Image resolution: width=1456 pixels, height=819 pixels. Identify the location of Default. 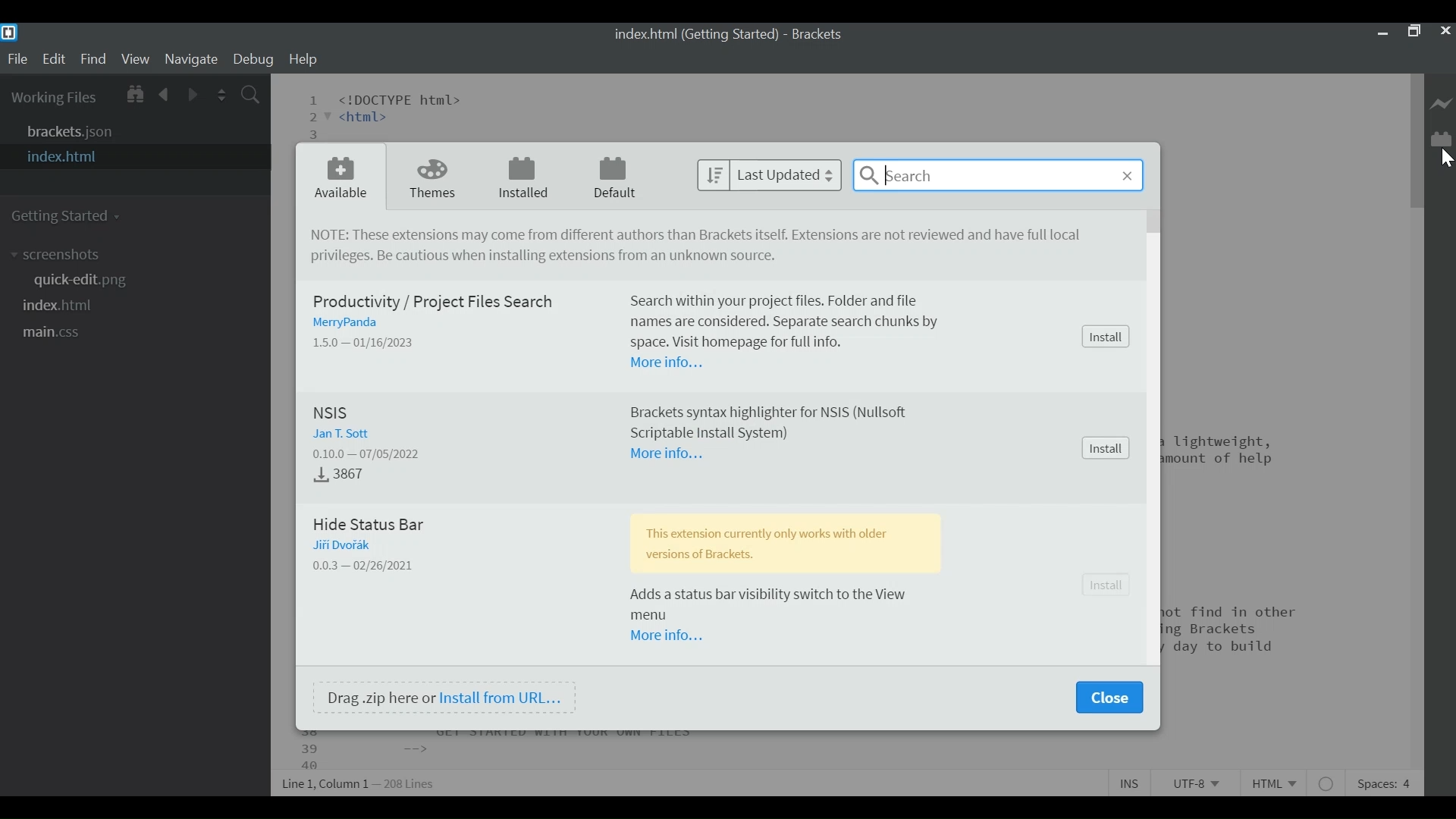
(616, 177).